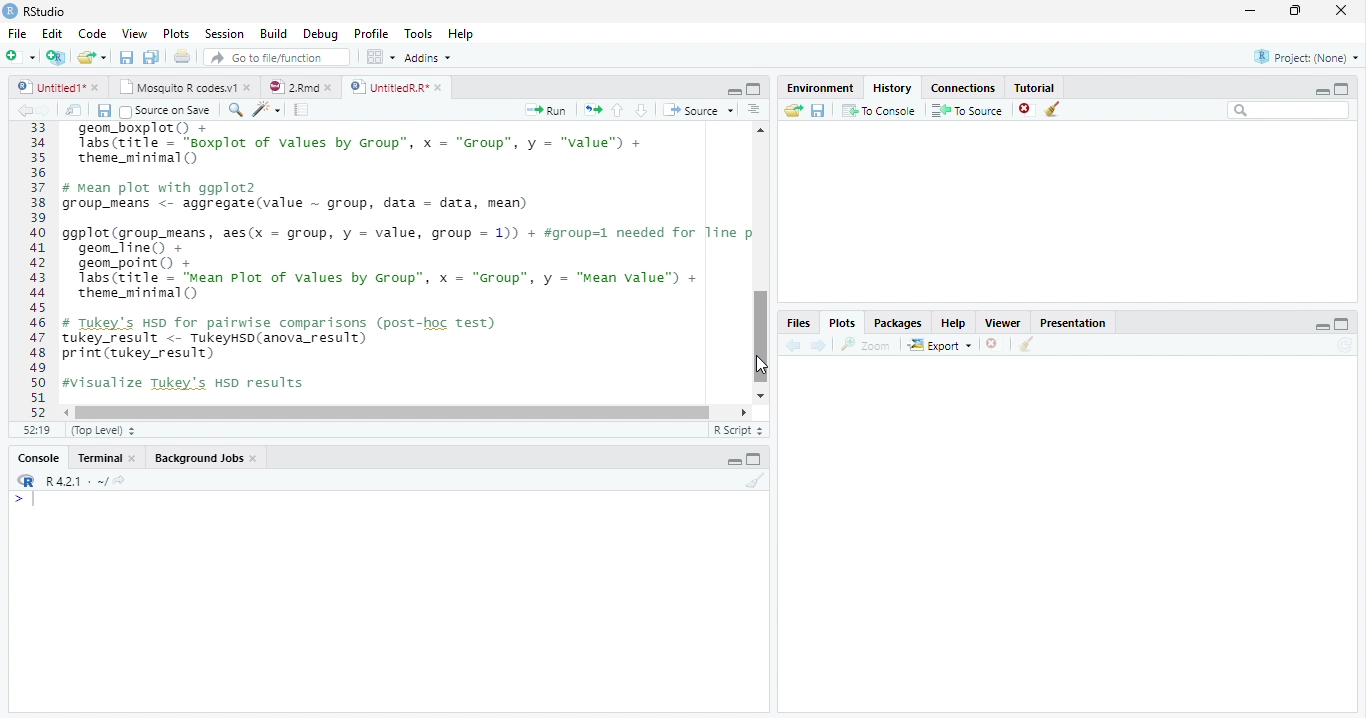 This screenshot has height=718, width=1366. Describe the element at coordinates (370, 34) in the screenshot. I see `Profile` at that location.